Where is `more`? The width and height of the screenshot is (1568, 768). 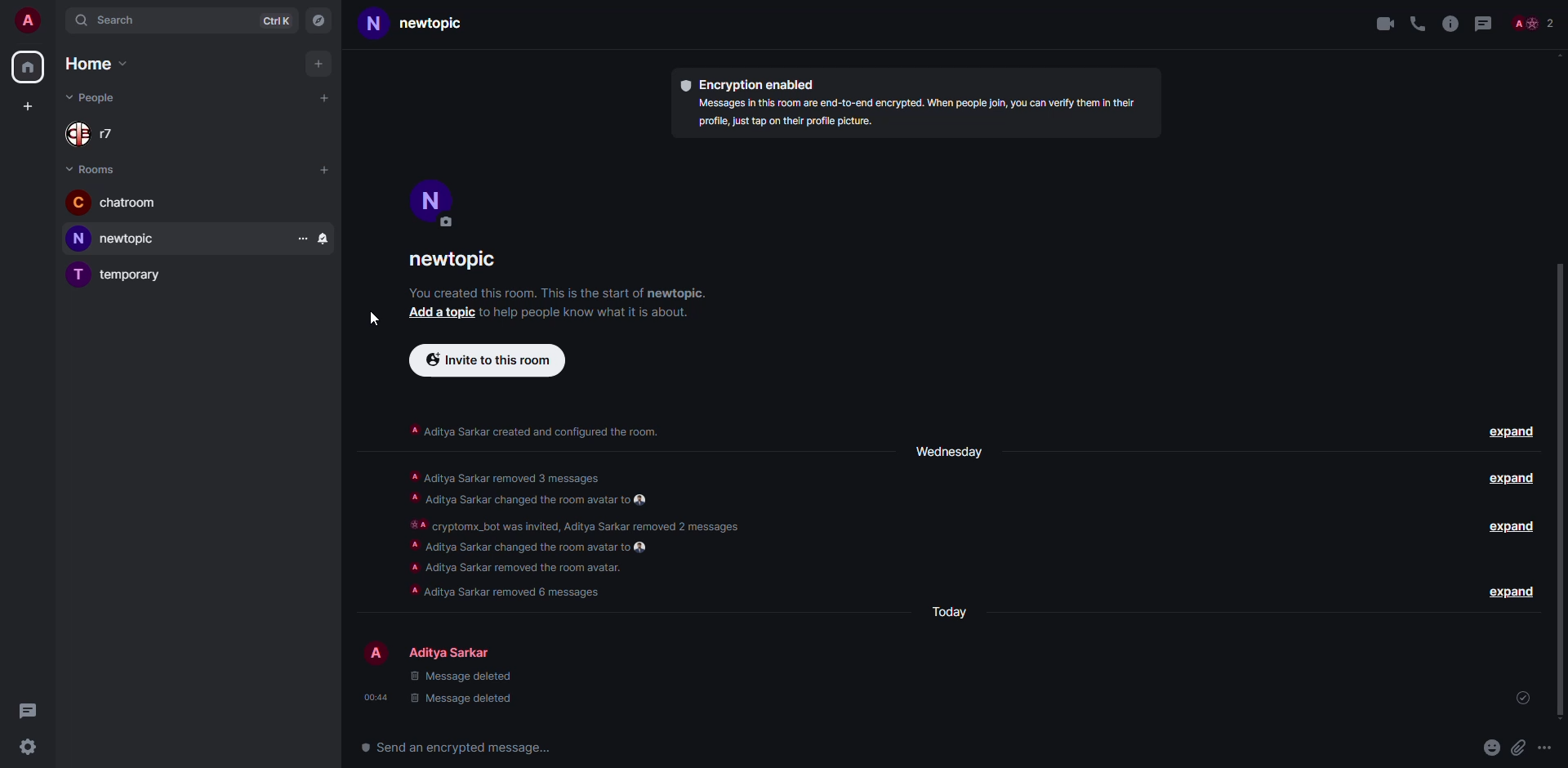
more is located at coordinates (298, 235).